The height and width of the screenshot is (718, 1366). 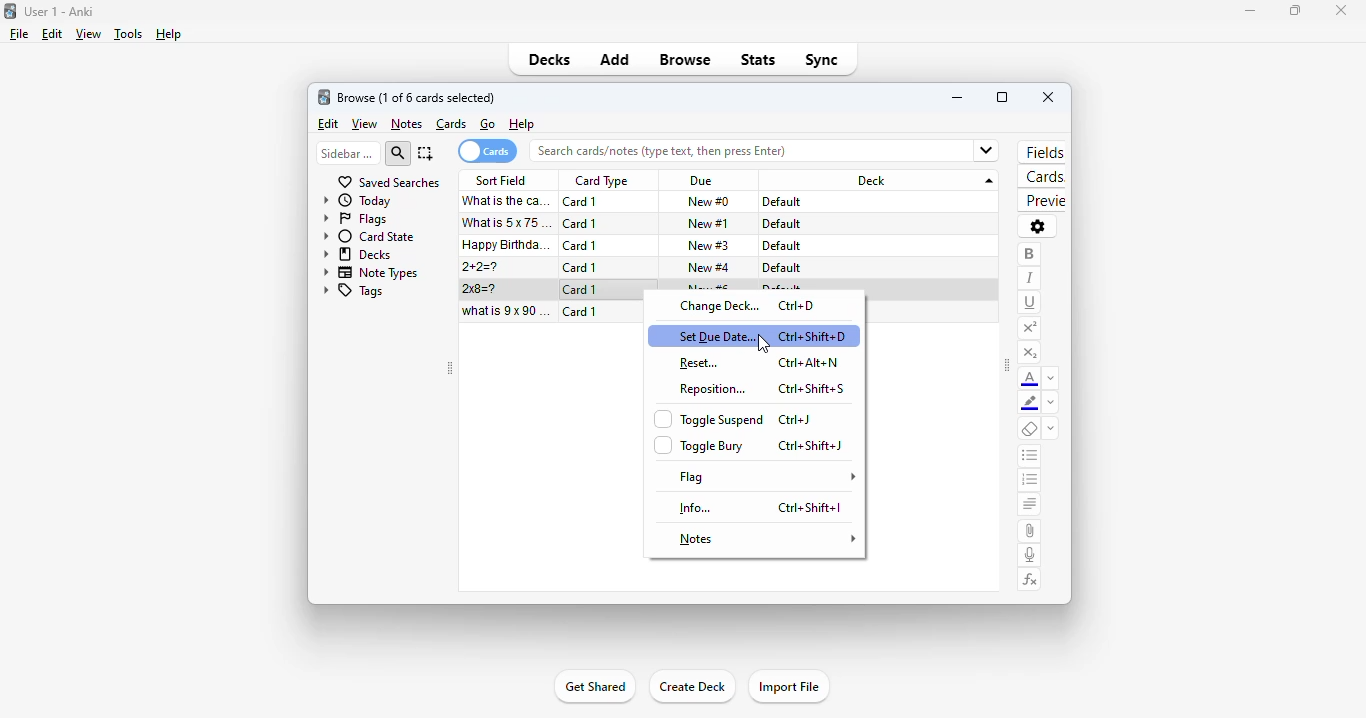 What do you see at coordinates (692, 687) in the screenshot?
I see `create deck` at bounding box center [692, 687].